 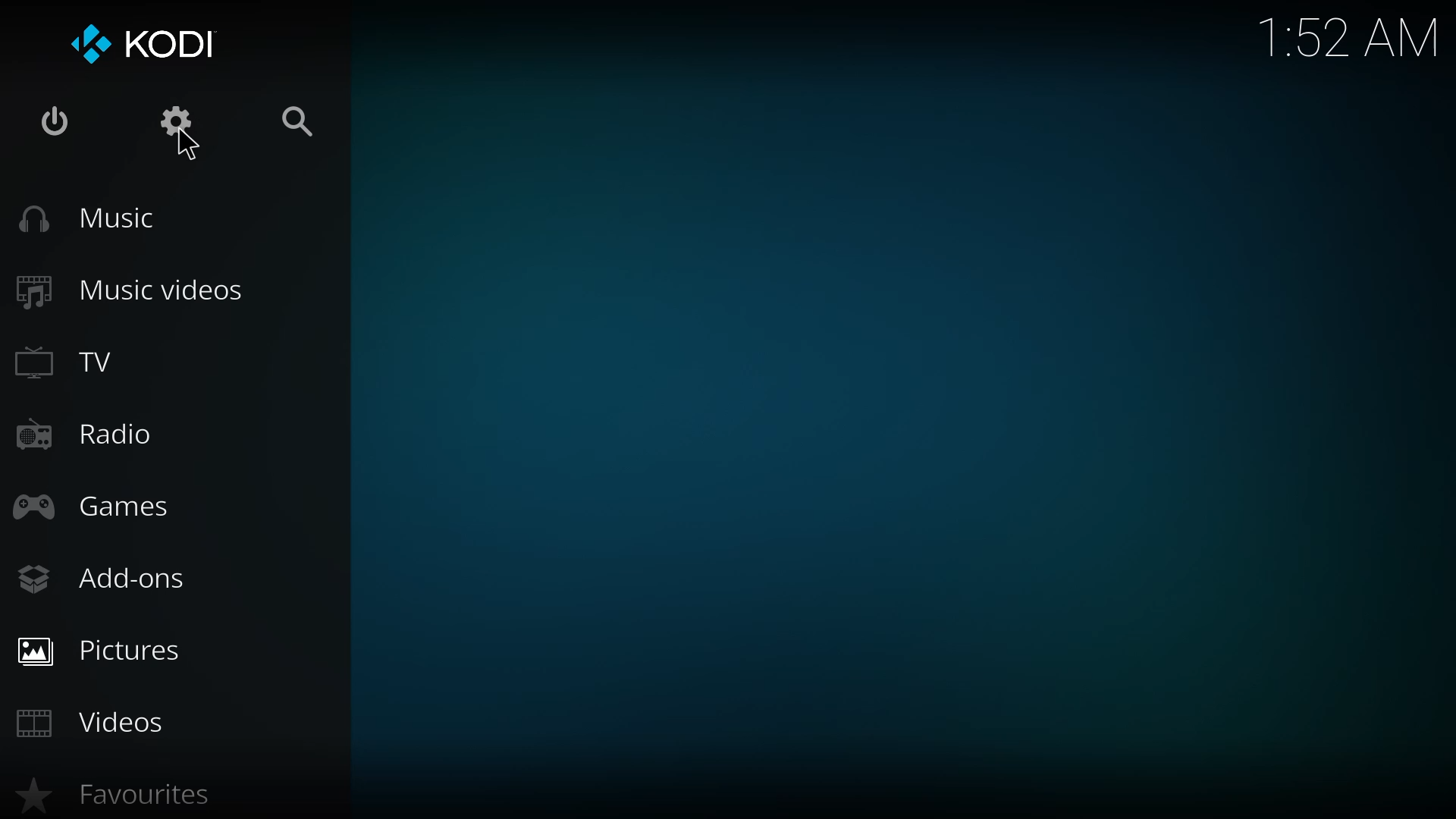 I want to click on music, so click(x=88, y=218).